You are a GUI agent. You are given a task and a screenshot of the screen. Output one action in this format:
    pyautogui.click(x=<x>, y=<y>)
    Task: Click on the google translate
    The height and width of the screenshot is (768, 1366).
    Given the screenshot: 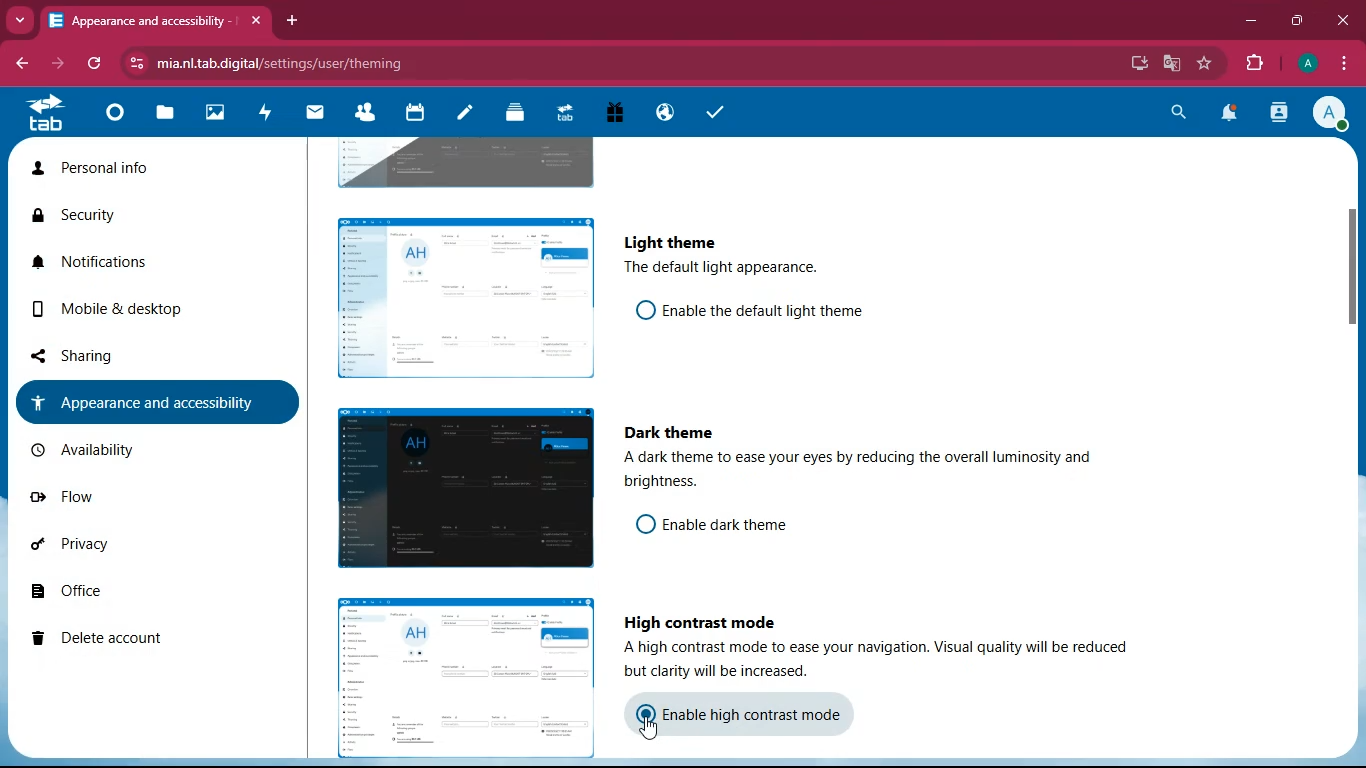 What is the action you would take?
    pyautogui.click(x=1172, y=63)
    